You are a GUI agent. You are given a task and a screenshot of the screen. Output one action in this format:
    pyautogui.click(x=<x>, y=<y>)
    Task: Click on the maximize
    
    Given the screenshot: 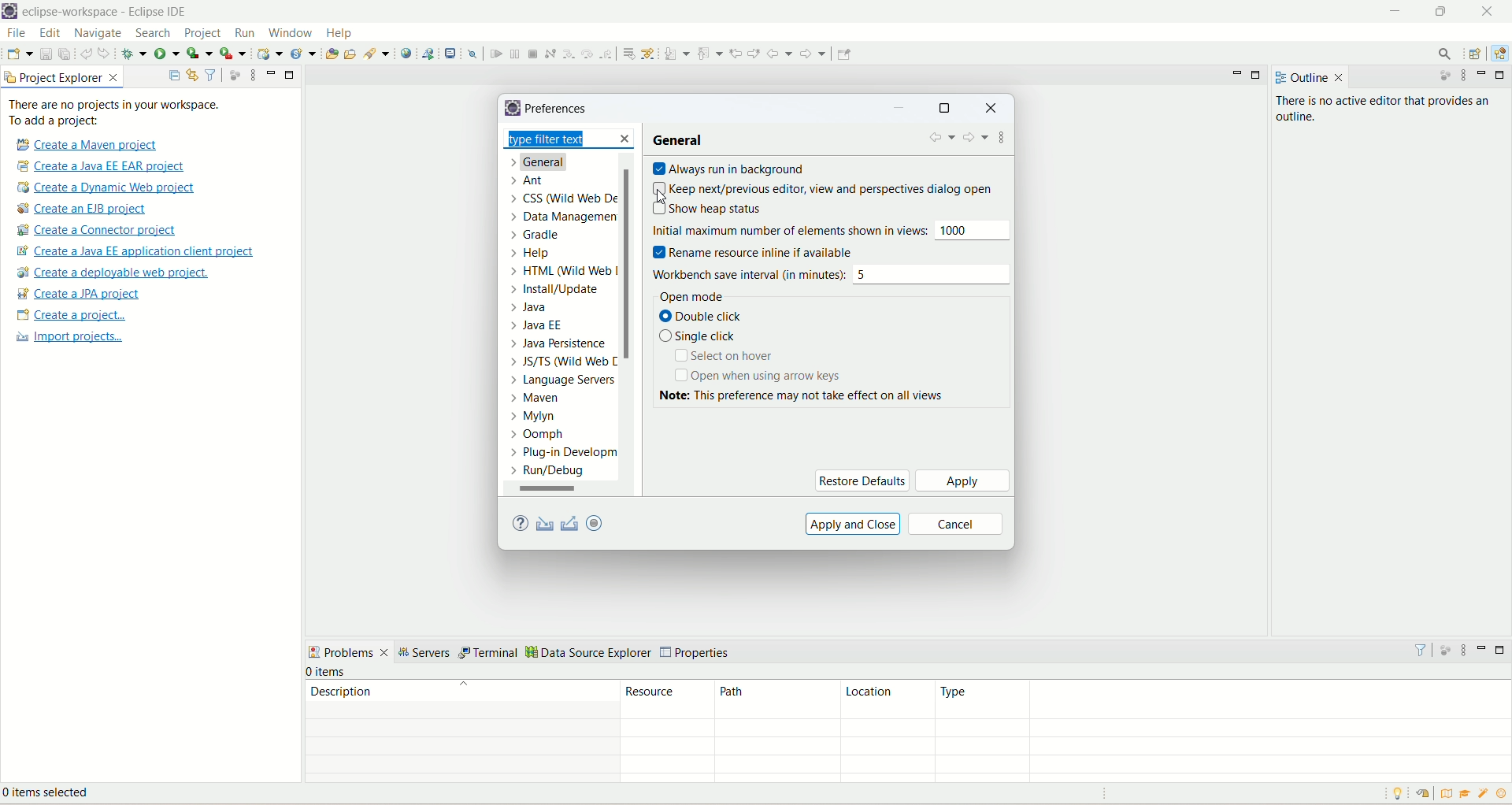 What is the action you would take?
    pyautogui.click(x=1503, y=650)
    